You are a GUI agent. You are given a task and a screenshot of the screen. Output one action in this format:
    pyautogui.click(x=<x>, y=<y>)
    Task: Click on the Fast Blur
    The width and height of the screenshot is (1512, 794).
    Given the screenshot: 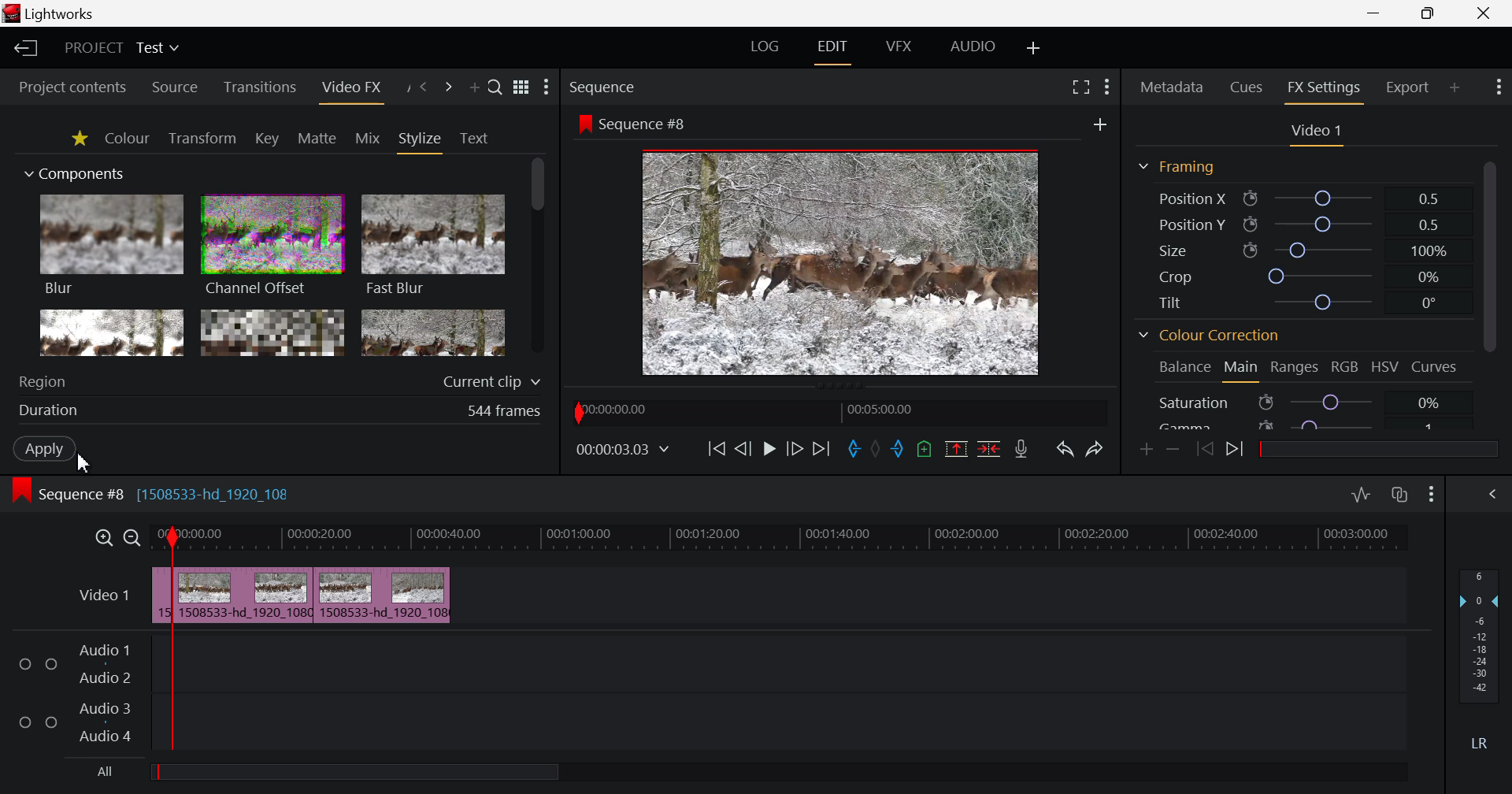 What is the action you would take?
    pyautogui.click(x=434, y=247)
    